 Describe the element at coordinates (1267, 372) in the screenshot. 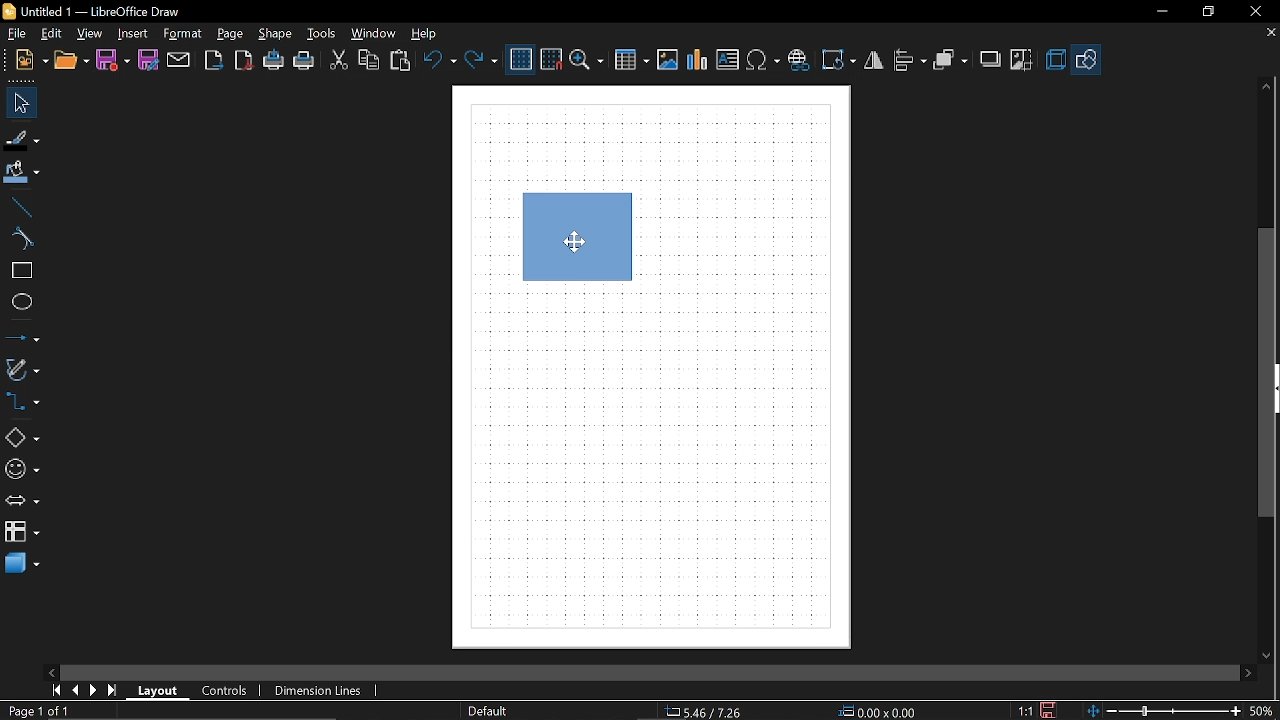

I see `Vertical scrollbar` at that location.